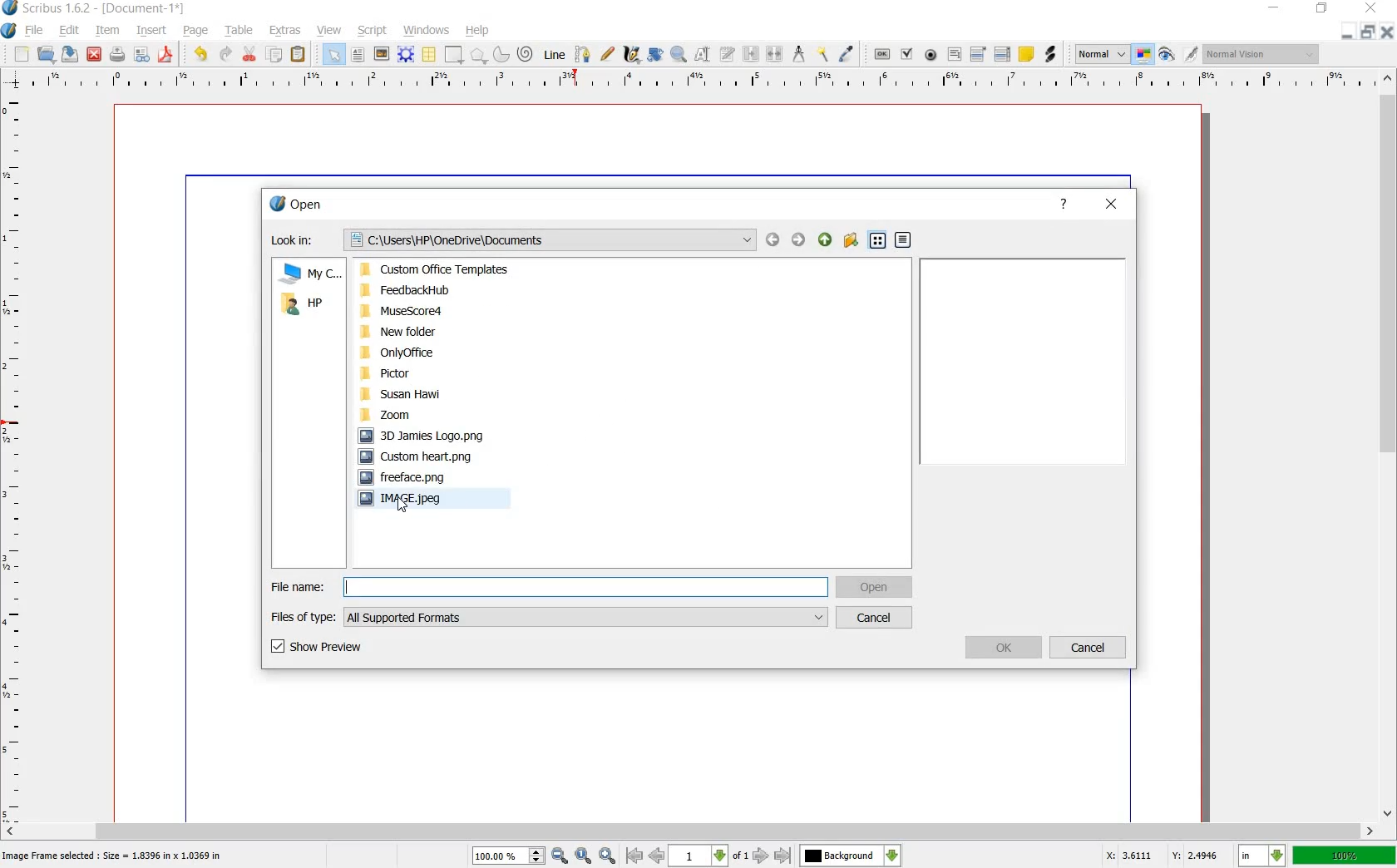  Describe the element at coordinates (499, 55) in the screenshot. I see `arc` at that location.